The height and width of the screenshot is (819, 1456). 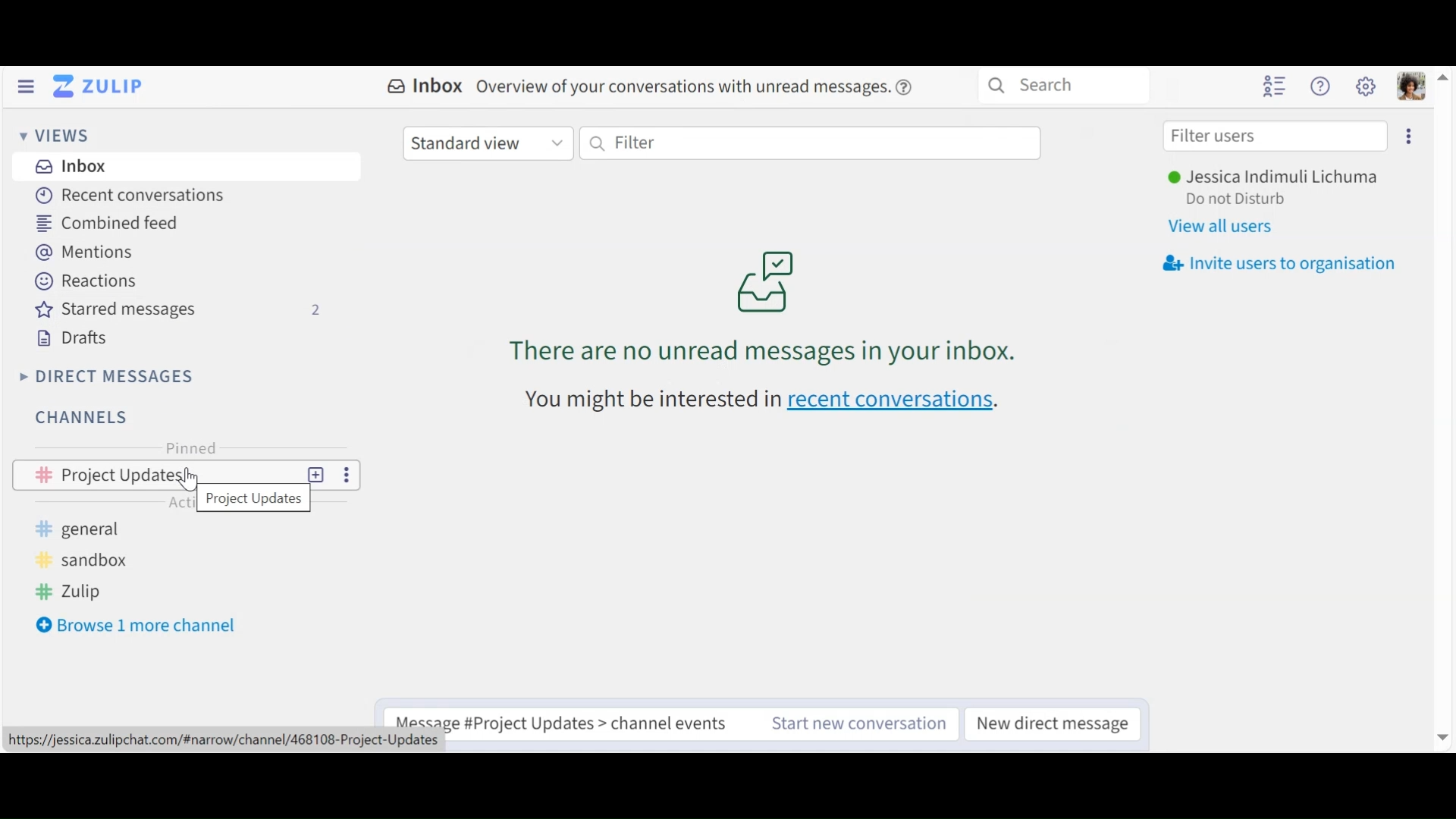 I want to click on Go to Home View, so click(x=102, y=86).